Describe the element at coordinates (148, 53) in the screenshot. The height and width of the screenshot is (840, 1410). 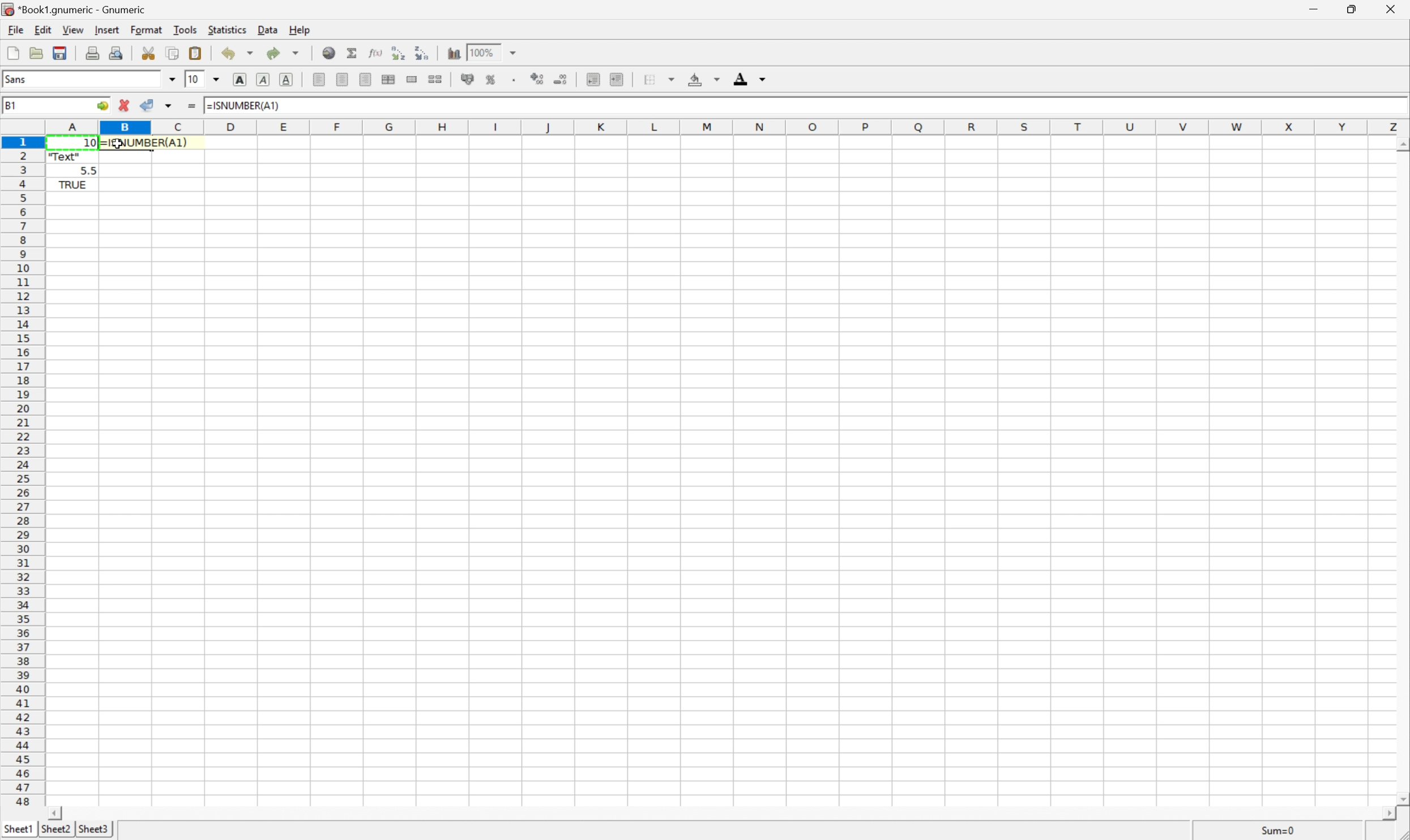
I see `Cut clipboard` at that location.